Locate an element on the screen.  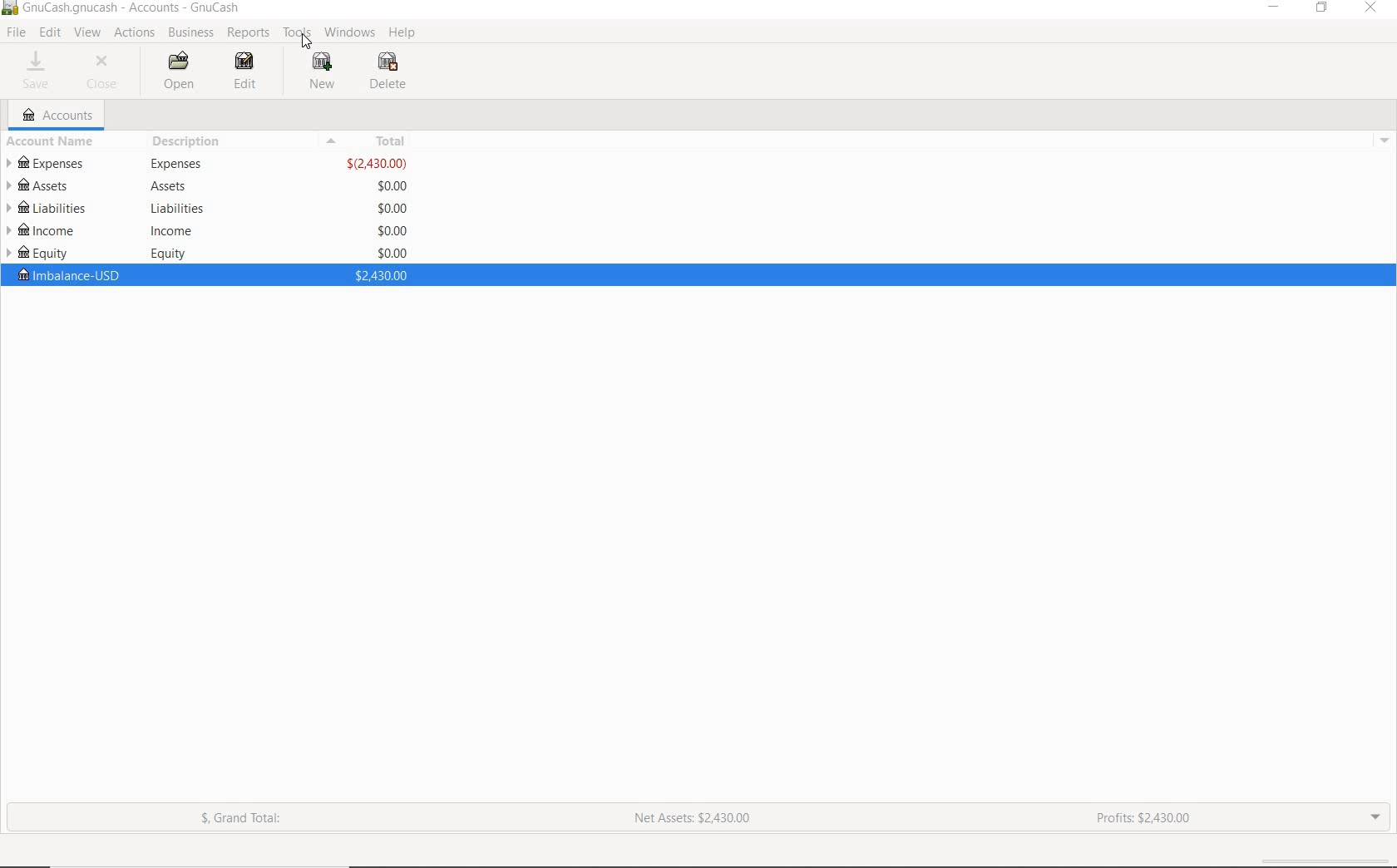
 is located at coordinates (170, 254).